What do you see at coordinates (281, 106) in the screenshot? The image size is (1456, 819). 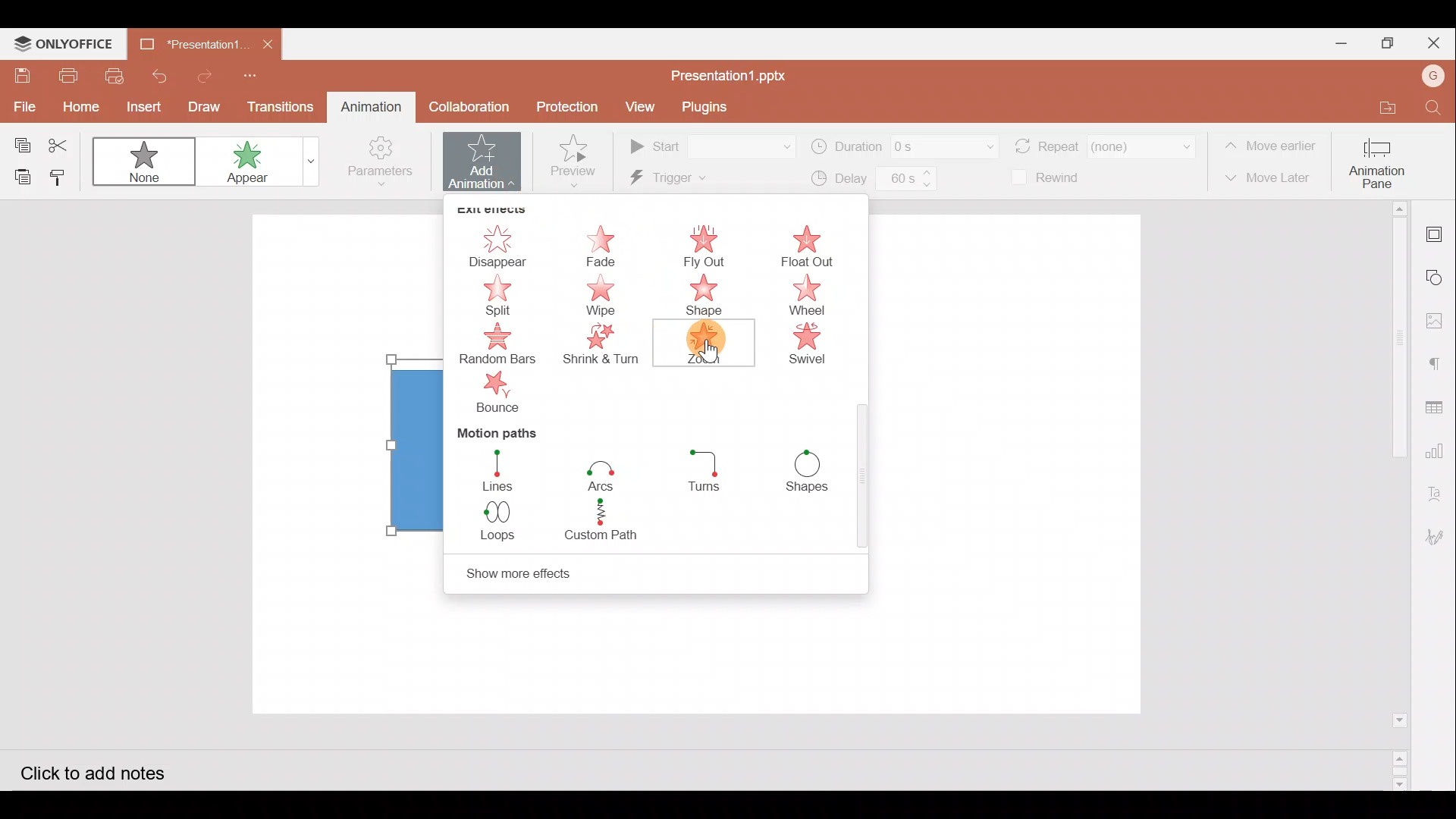 I see `Transitions` at bounding box center [281, 106].